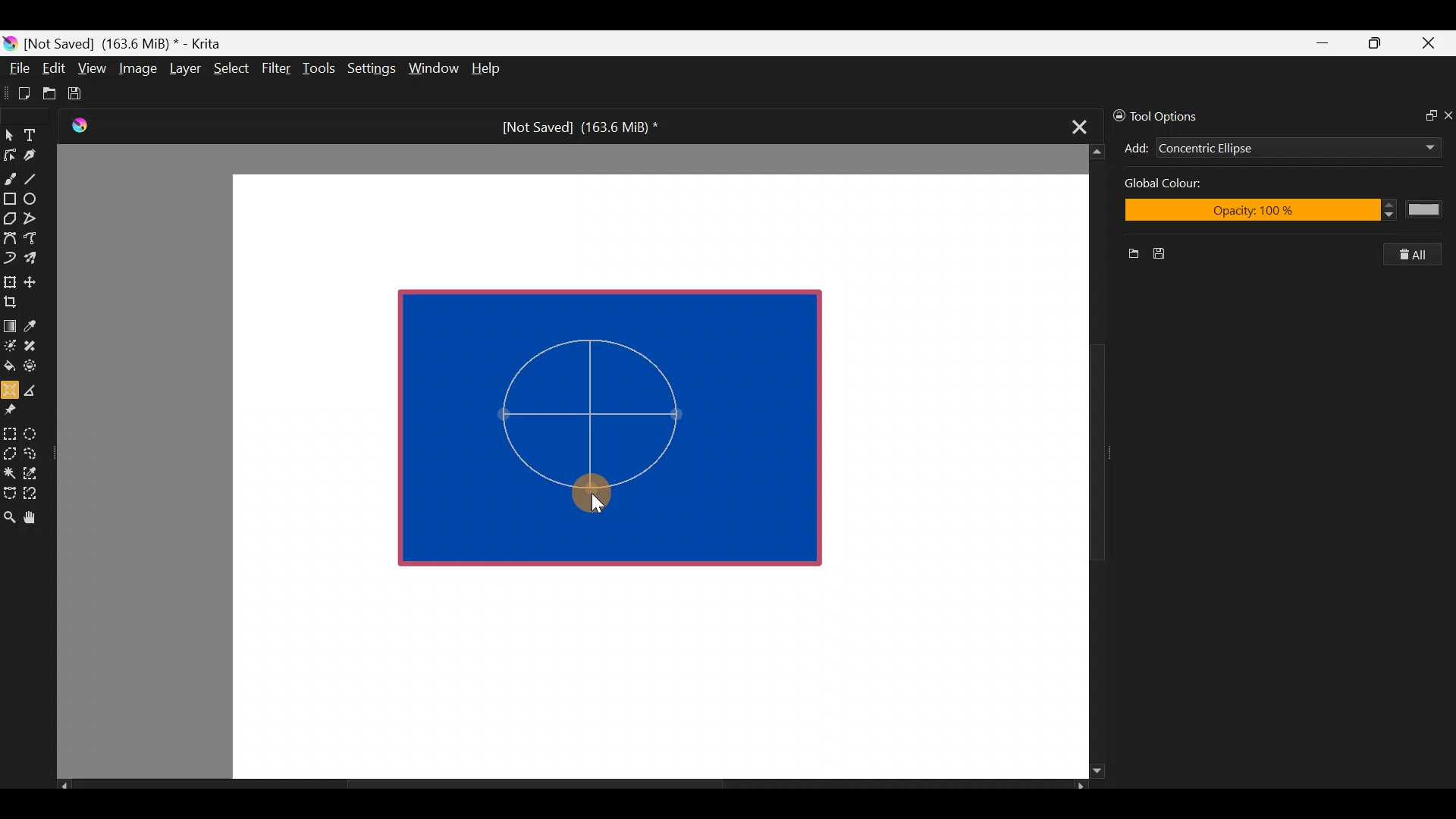 The image size is (1456, 819). Describe the element at coordinates (277, 67) in the screenshot. I see `Filter` at that location.